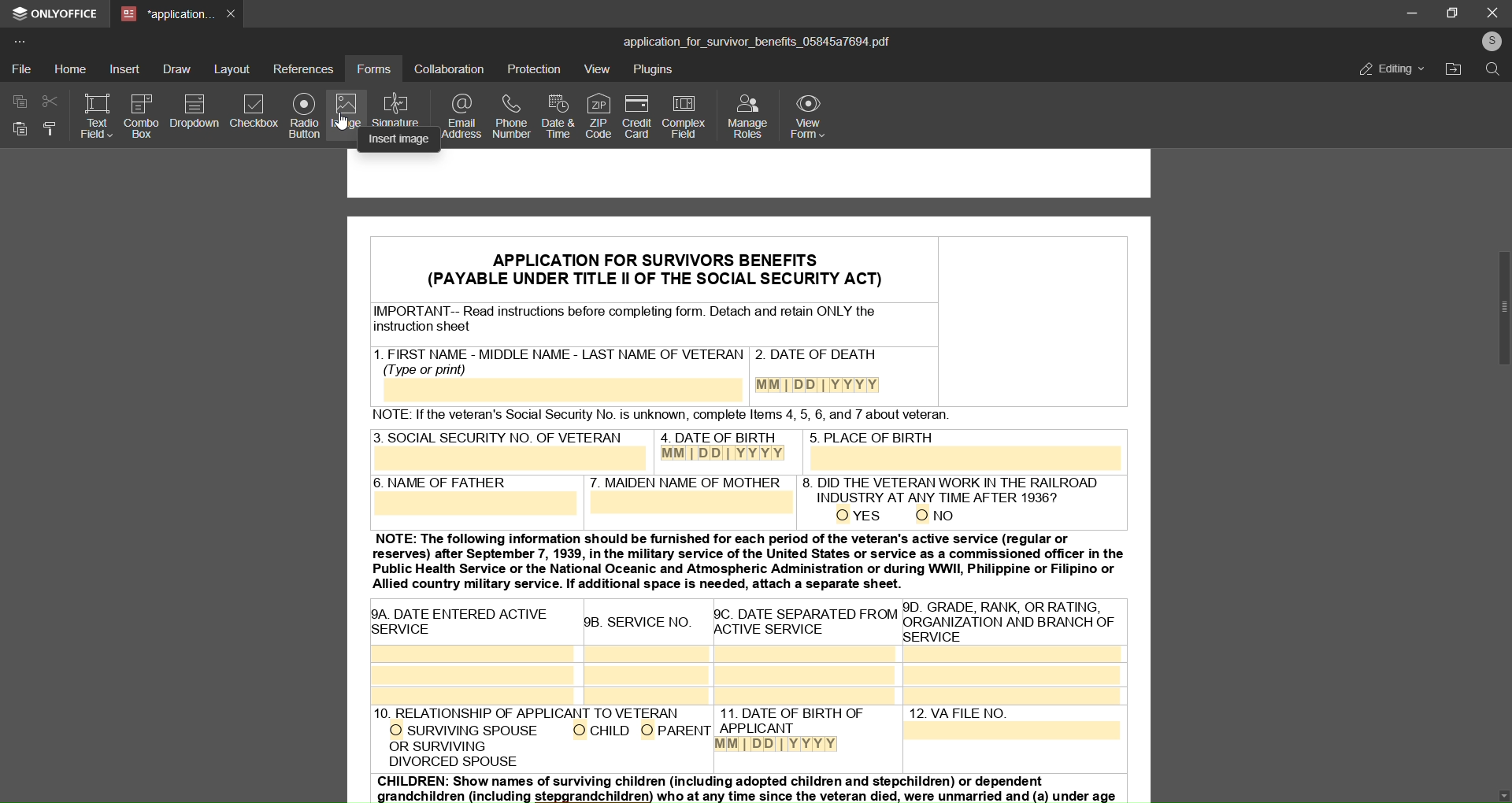 The image size is (1512, 803). What do you see at coordinates (71, 68) in the screenshot?
I see `home` at bounding box center [71, 68].